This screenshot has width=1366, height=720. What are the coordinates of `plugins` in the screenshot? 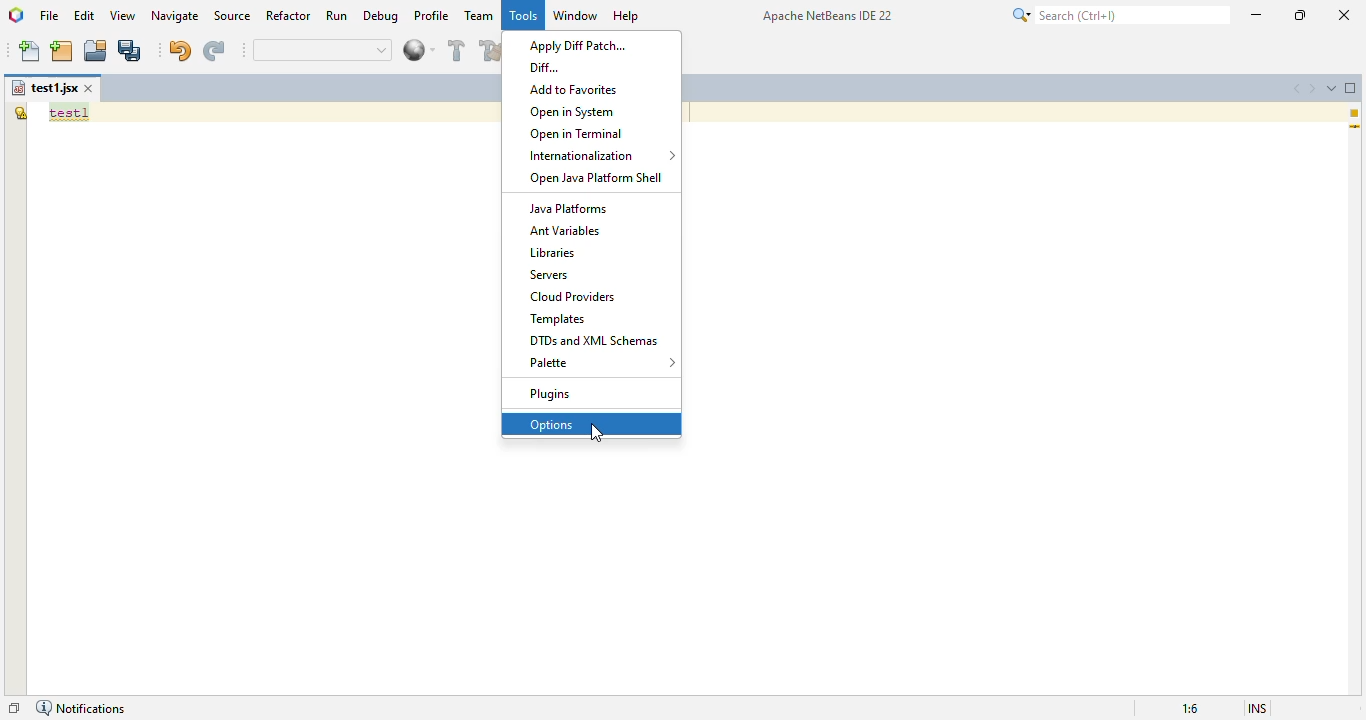 It's located at (551, 395).